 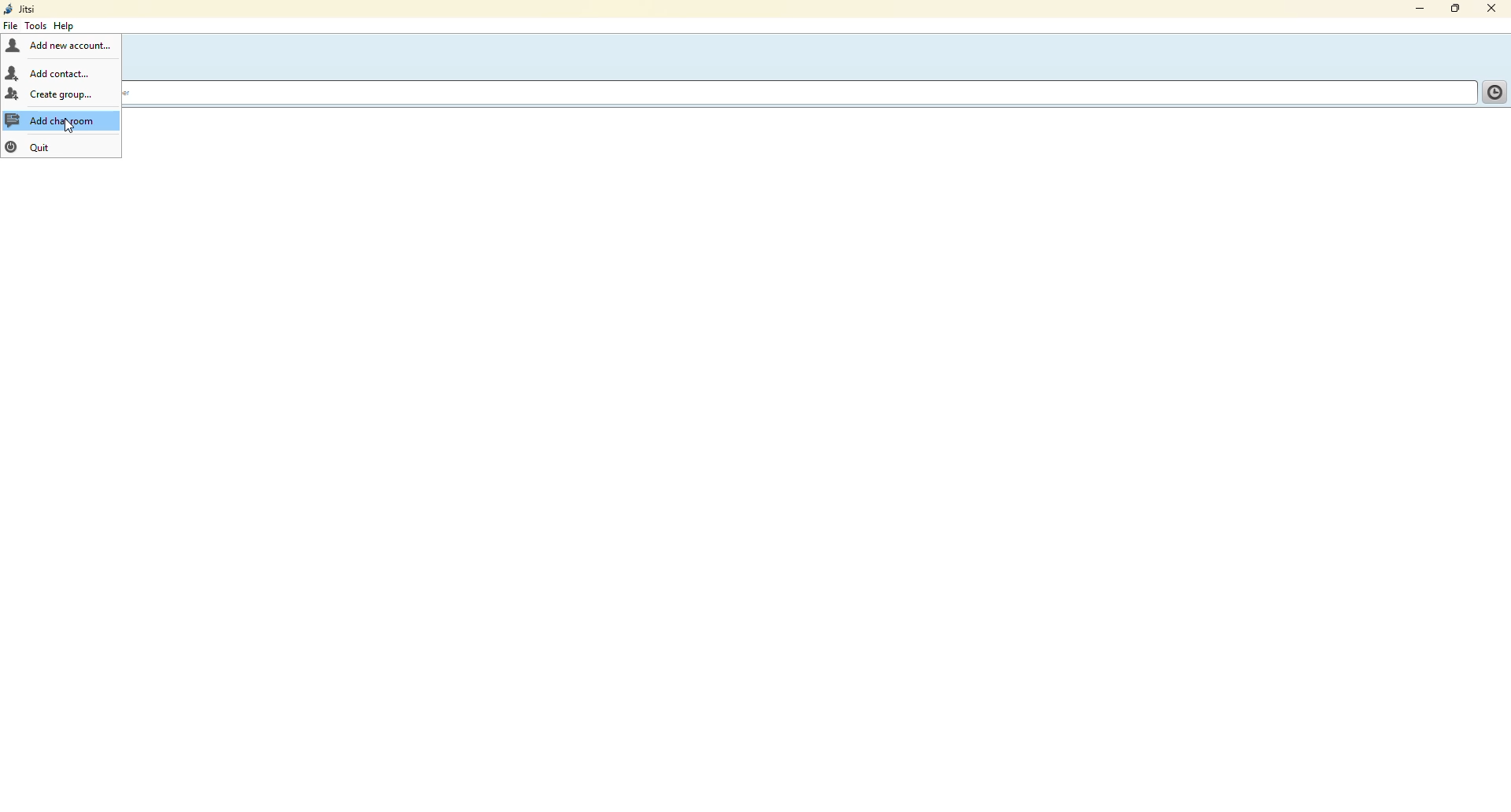 What do you see at coordinates (1492, 90) in the screenshot?
I see `History` at bounding box center [1492, 90].